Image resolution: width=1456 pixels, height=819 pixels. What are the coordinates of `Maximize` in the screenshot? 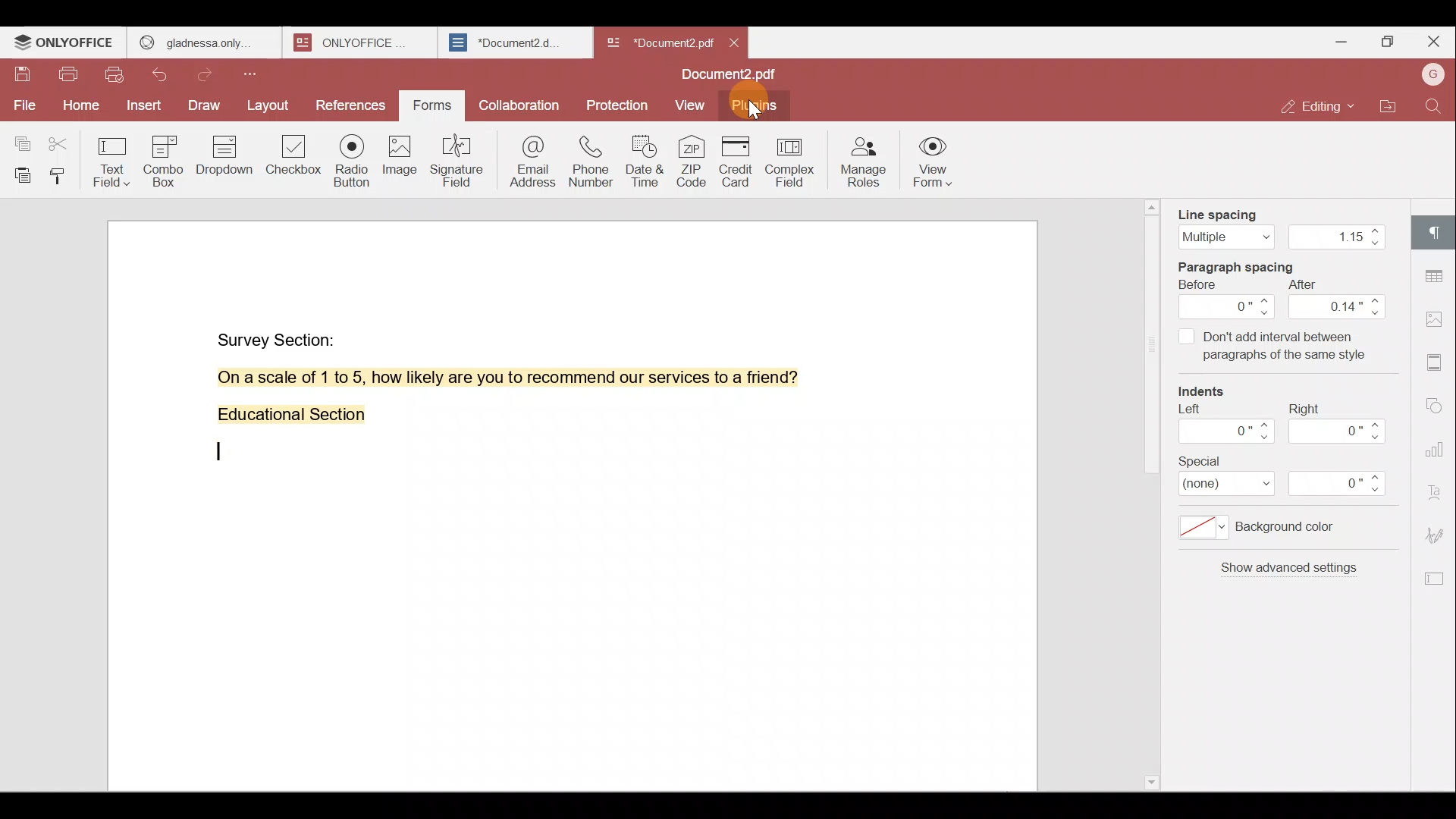 It's located at (1386, 44).